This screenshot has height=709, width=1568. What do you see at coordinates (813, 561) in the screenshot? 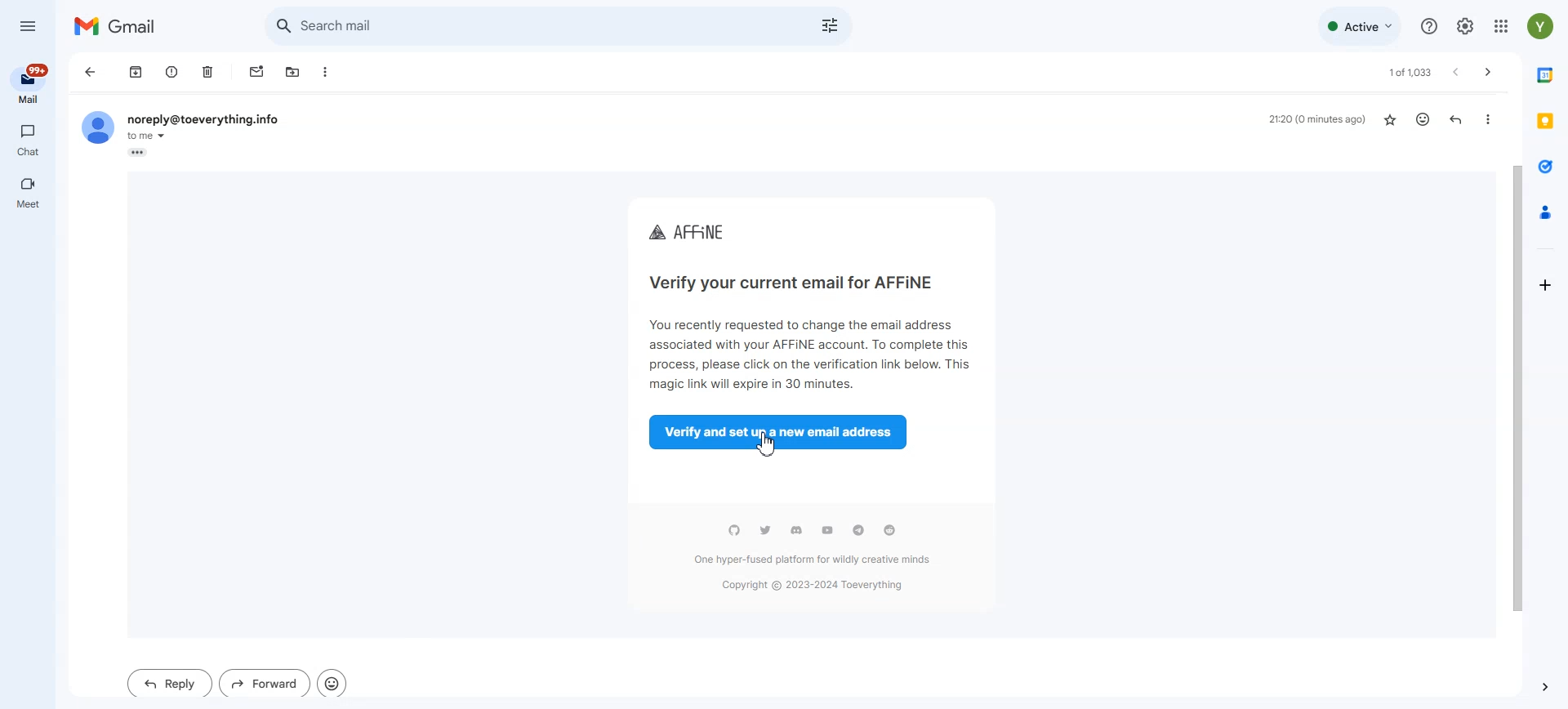
I see `one hyper fused` at bounding box center [813, 561].